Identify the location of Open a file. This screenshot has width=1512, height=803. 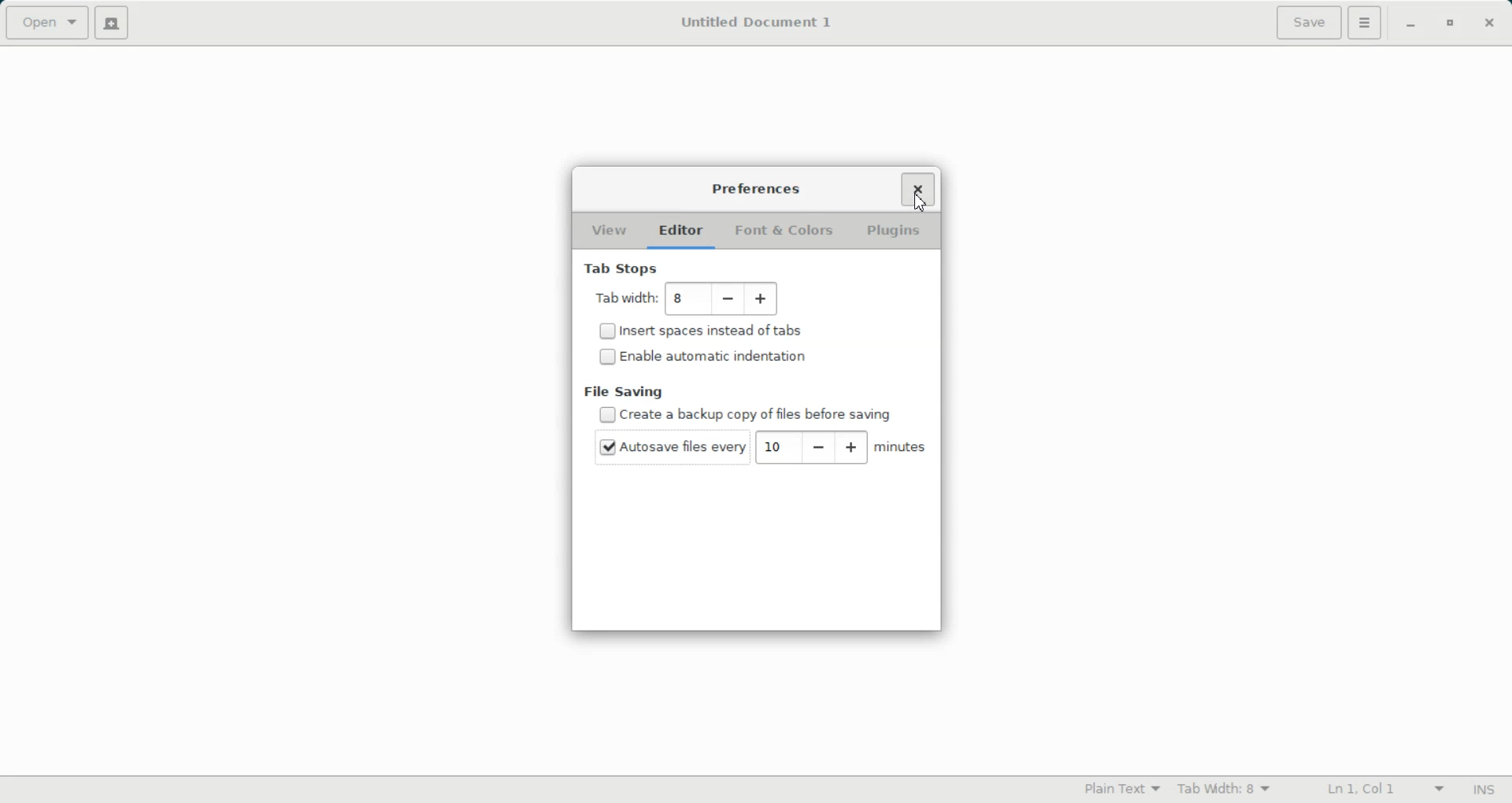
(46, 22).